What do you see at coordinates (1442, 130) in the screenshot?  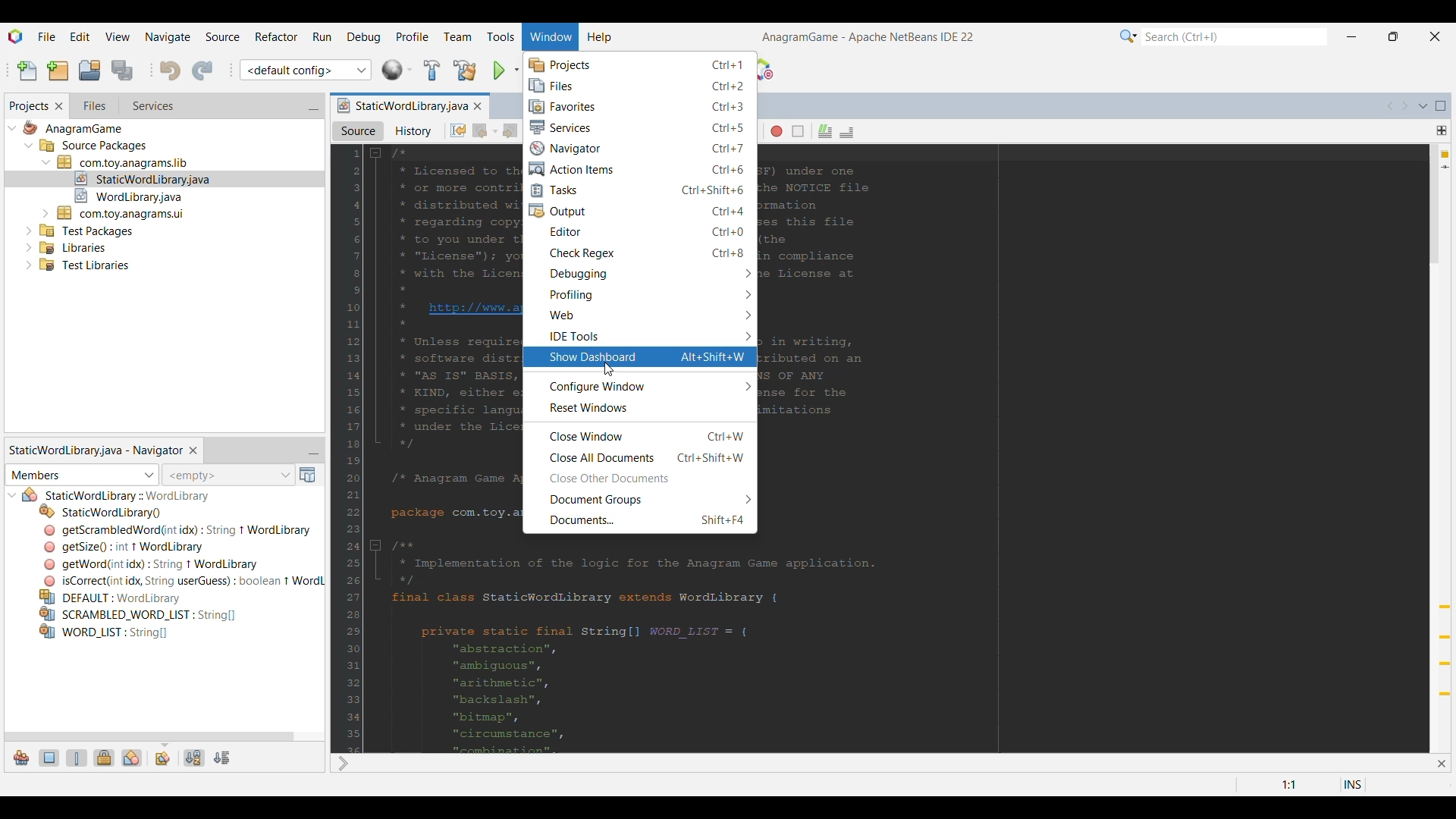 I see `Drang to split window horizontally or vertically` at bounding box center [1442, 130].